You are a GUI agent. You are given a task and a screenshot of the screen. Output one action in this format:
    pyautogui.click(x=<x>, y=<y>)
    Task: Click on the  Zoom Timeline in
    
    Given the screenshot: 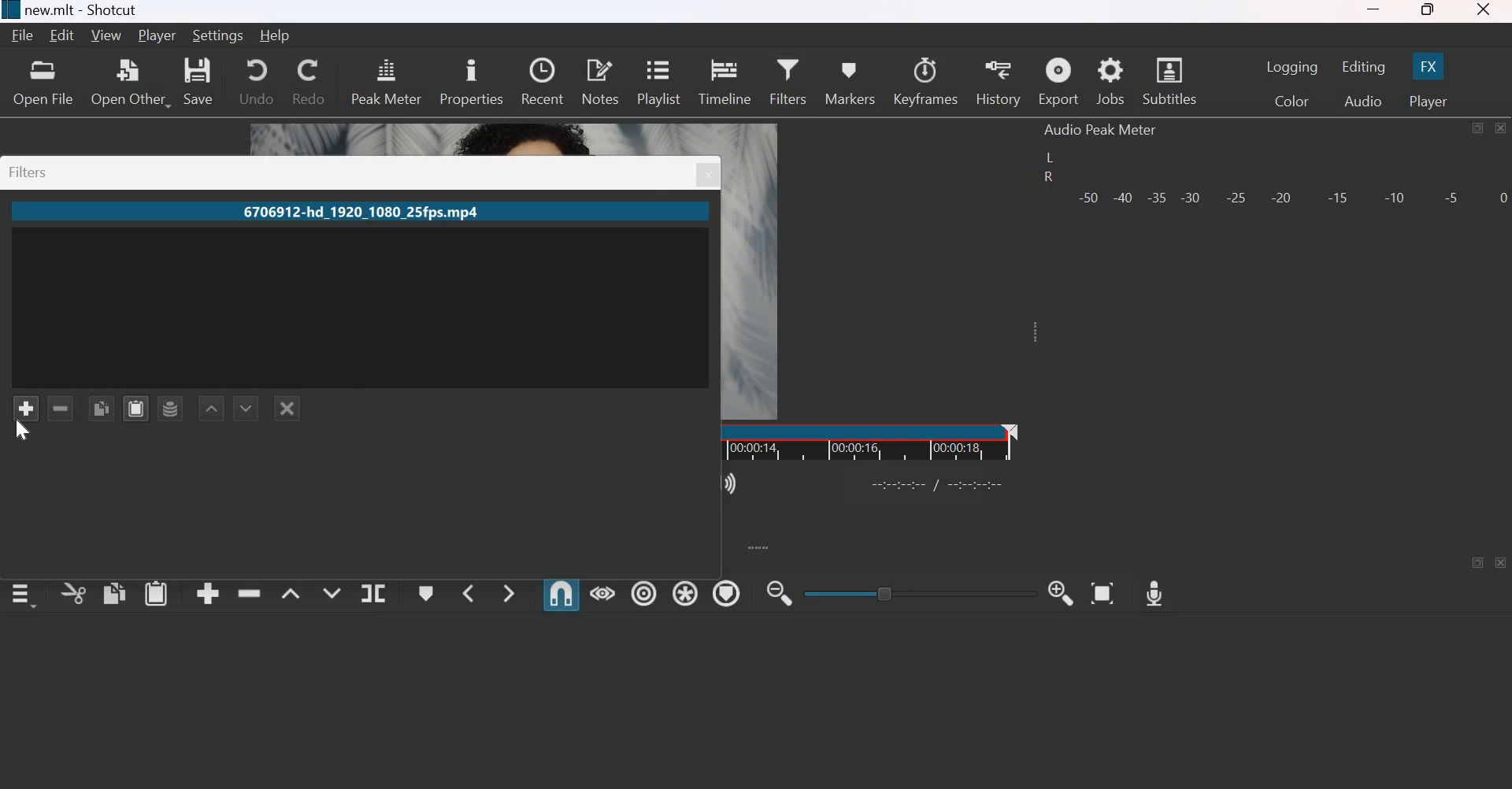 What is the action you would take?
    pyautogui.click(x=1060, y=591)
    